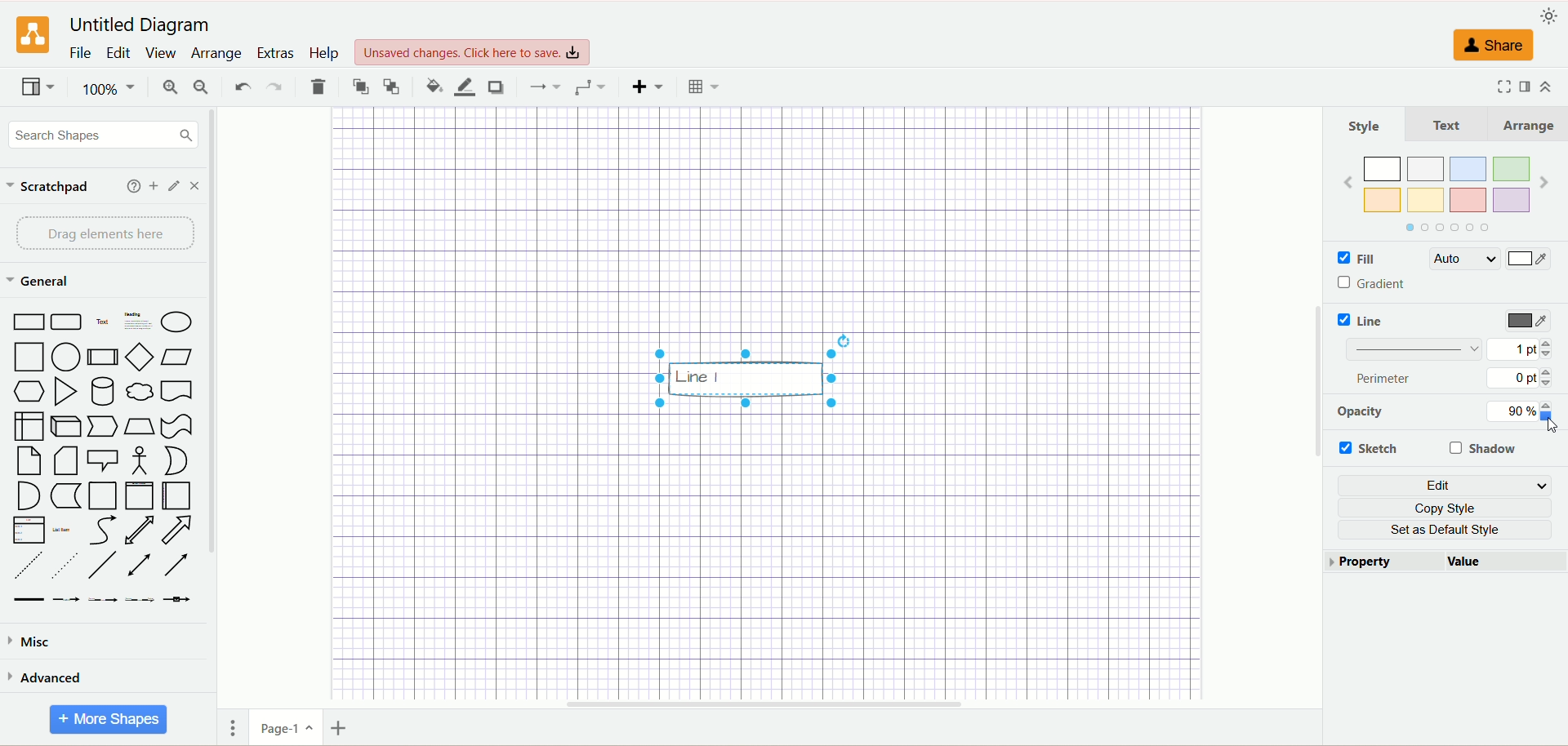 The image size is (1568, 746). What do you see at coordinates (1365, 127) in the screenshot?
I see `Style` at bounding box center [1365, 127].